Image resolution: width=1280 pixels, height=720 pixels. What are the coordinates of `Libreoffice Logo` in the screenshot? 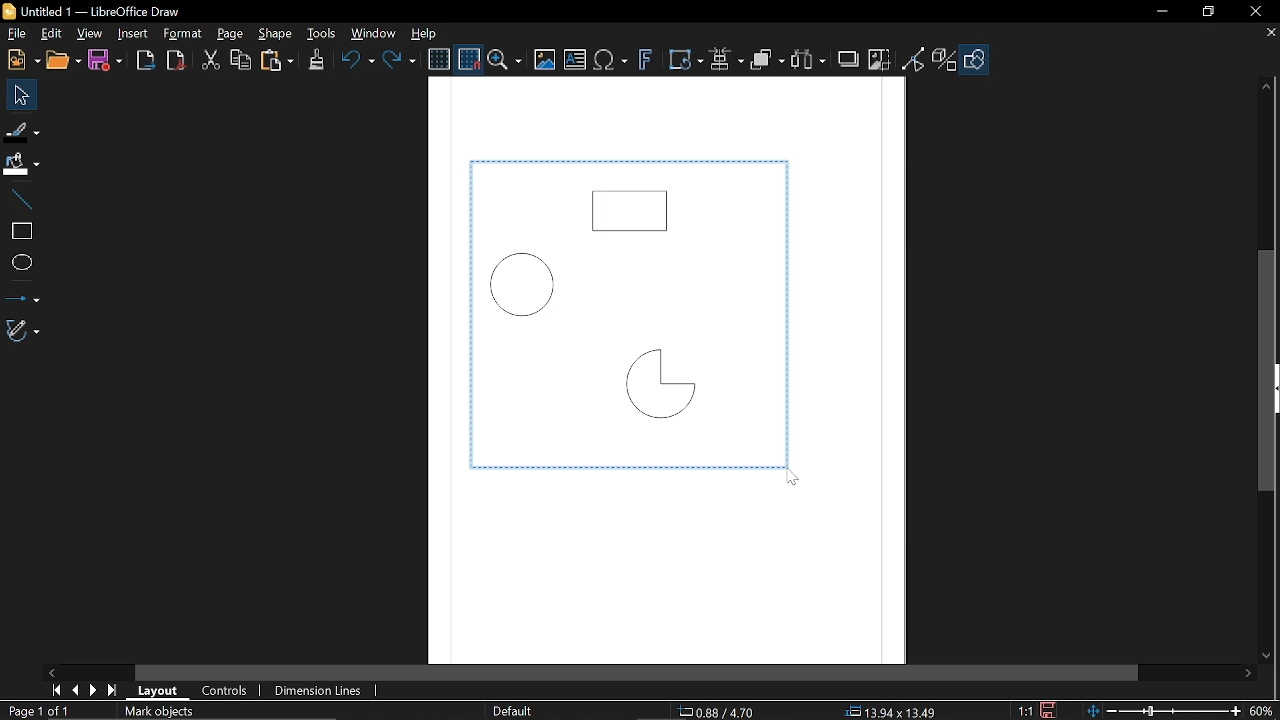 It's located at (9, 10).